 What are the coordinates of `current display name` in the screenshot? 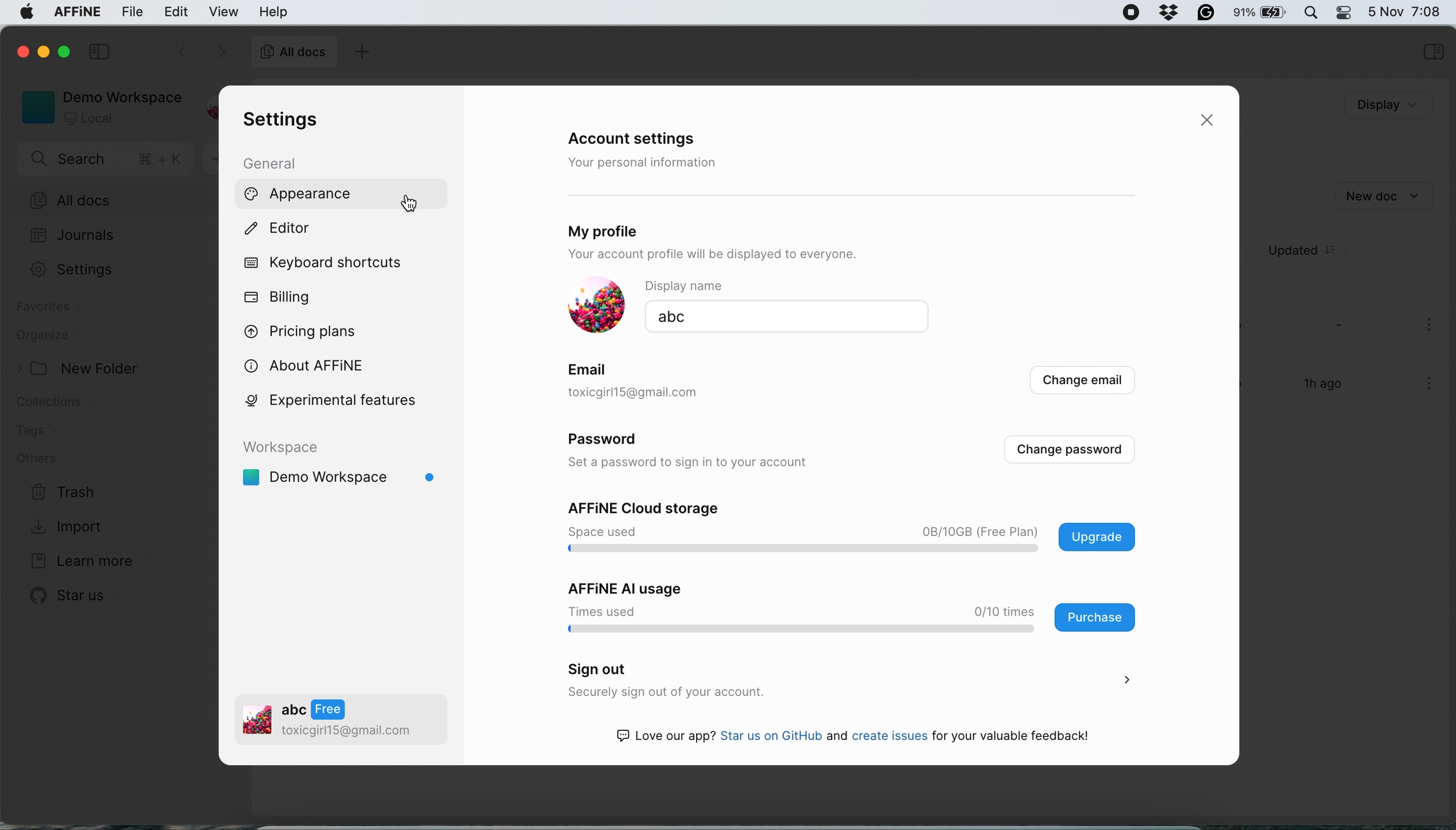 It's located at (788, 318).